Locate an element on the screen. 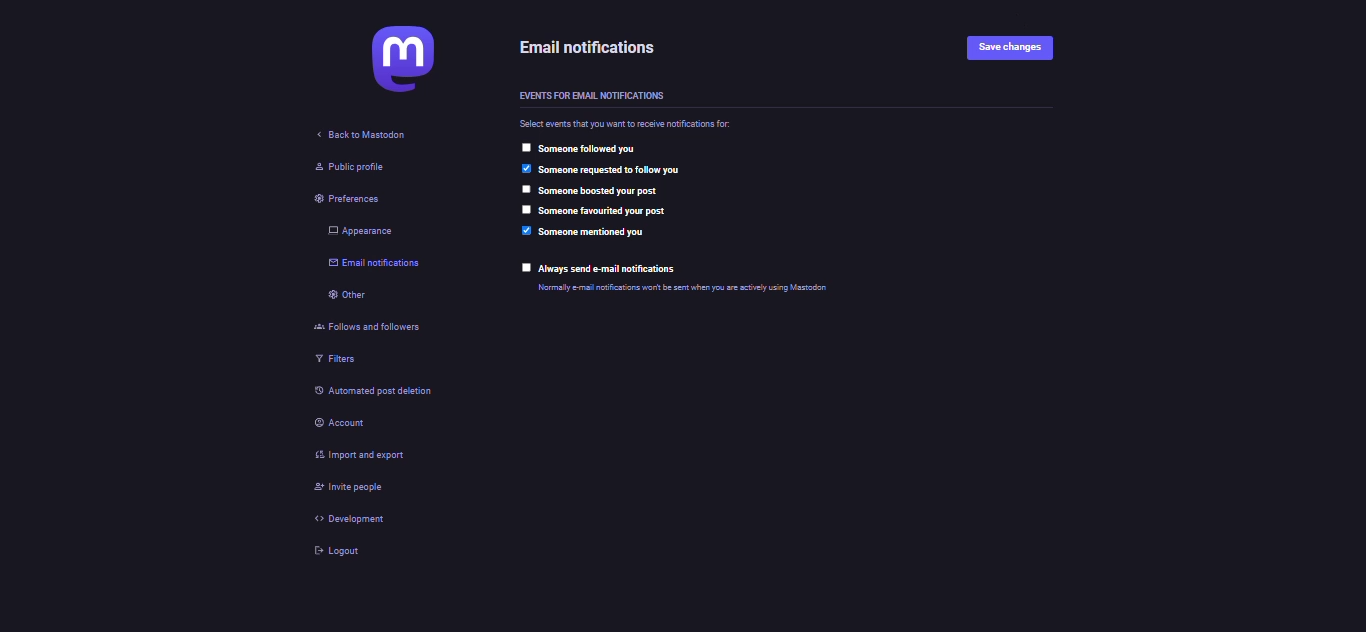 This screenshot has height=632, width=1366. follows and followers is located at coordinates (366, 326).